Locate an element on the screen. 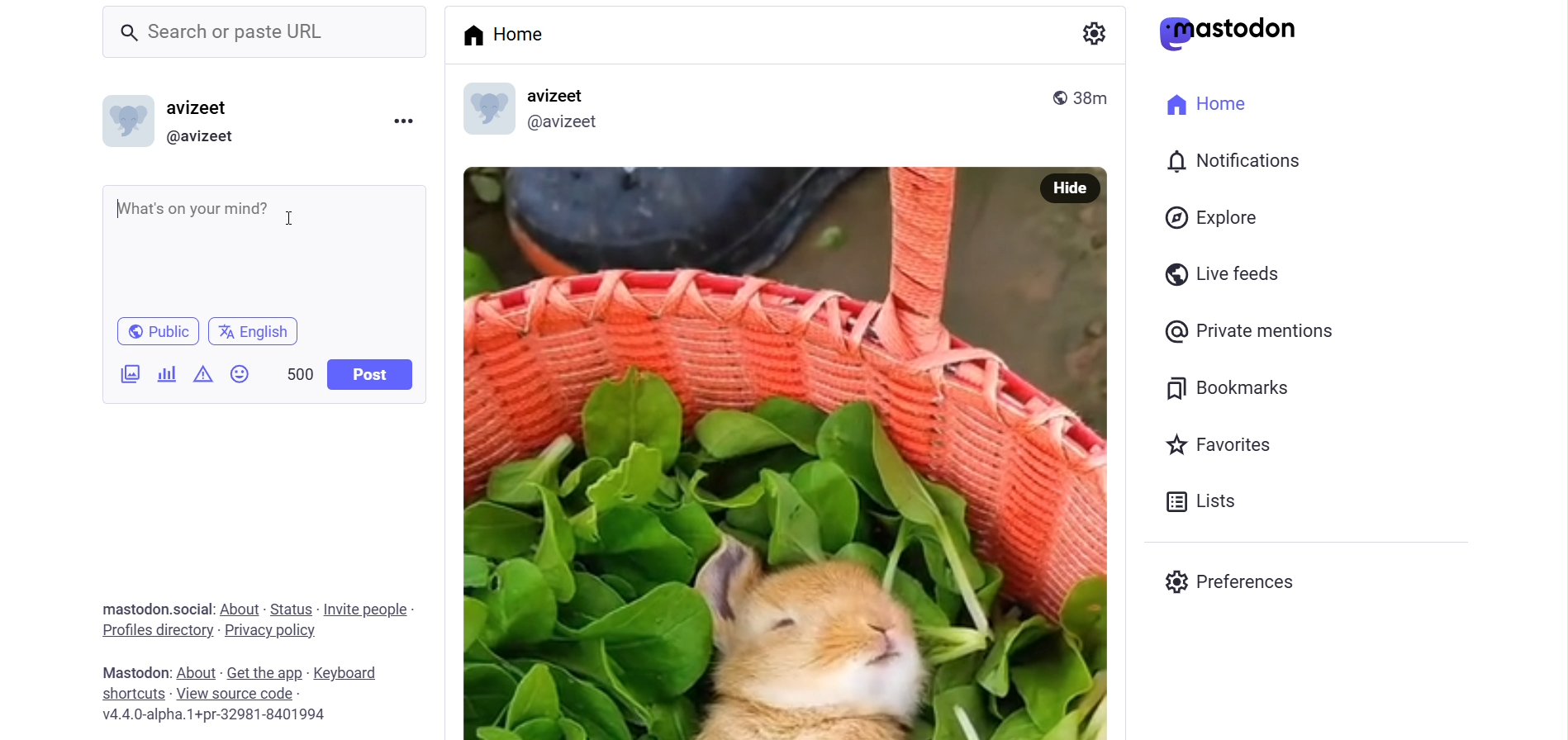  Add Poll is located at coordinates (167, 372).